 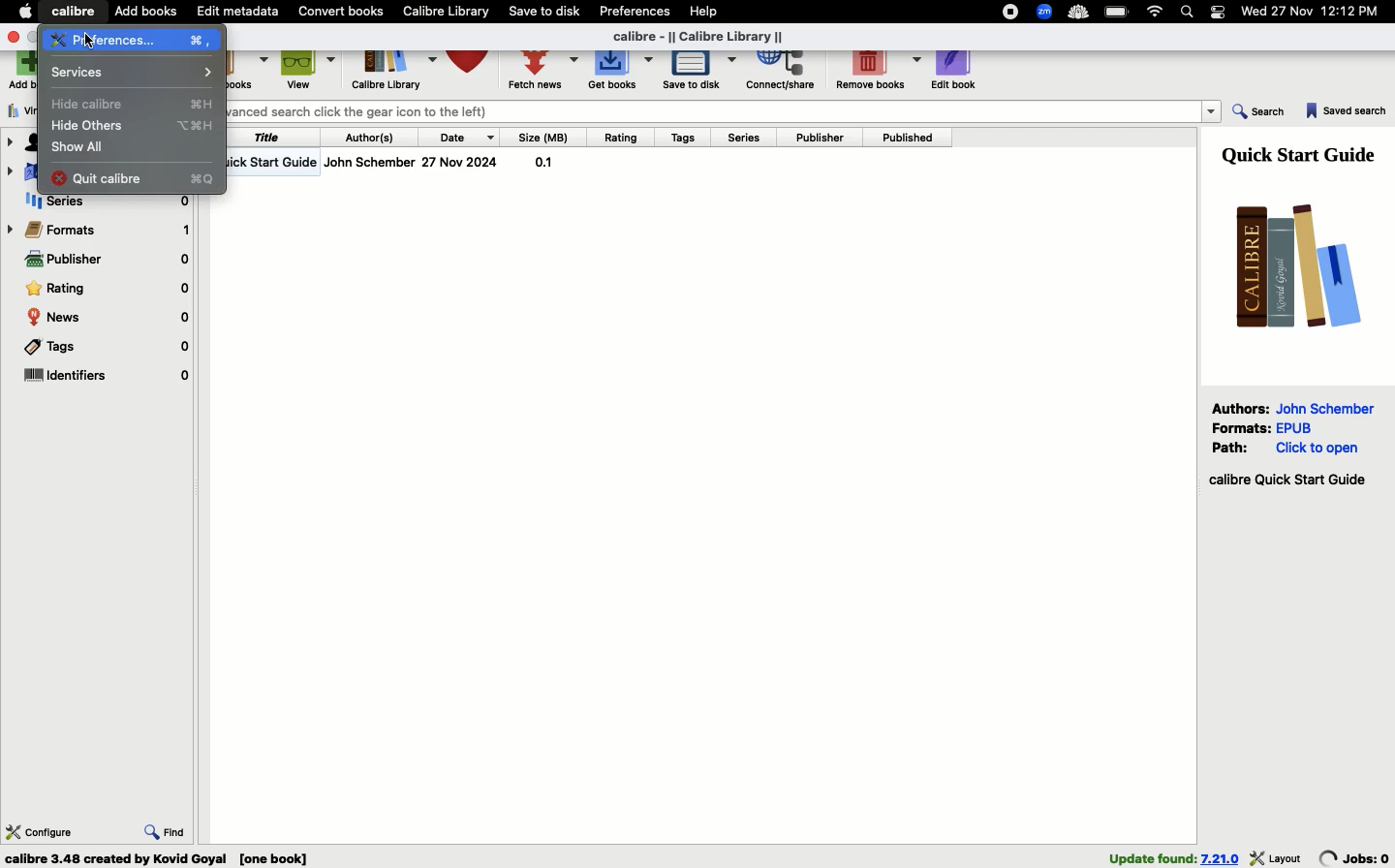 What do you see at coordinates (1213, 112) in the screenshot?
I see `dropdown` at bounding box center [1213, 112].